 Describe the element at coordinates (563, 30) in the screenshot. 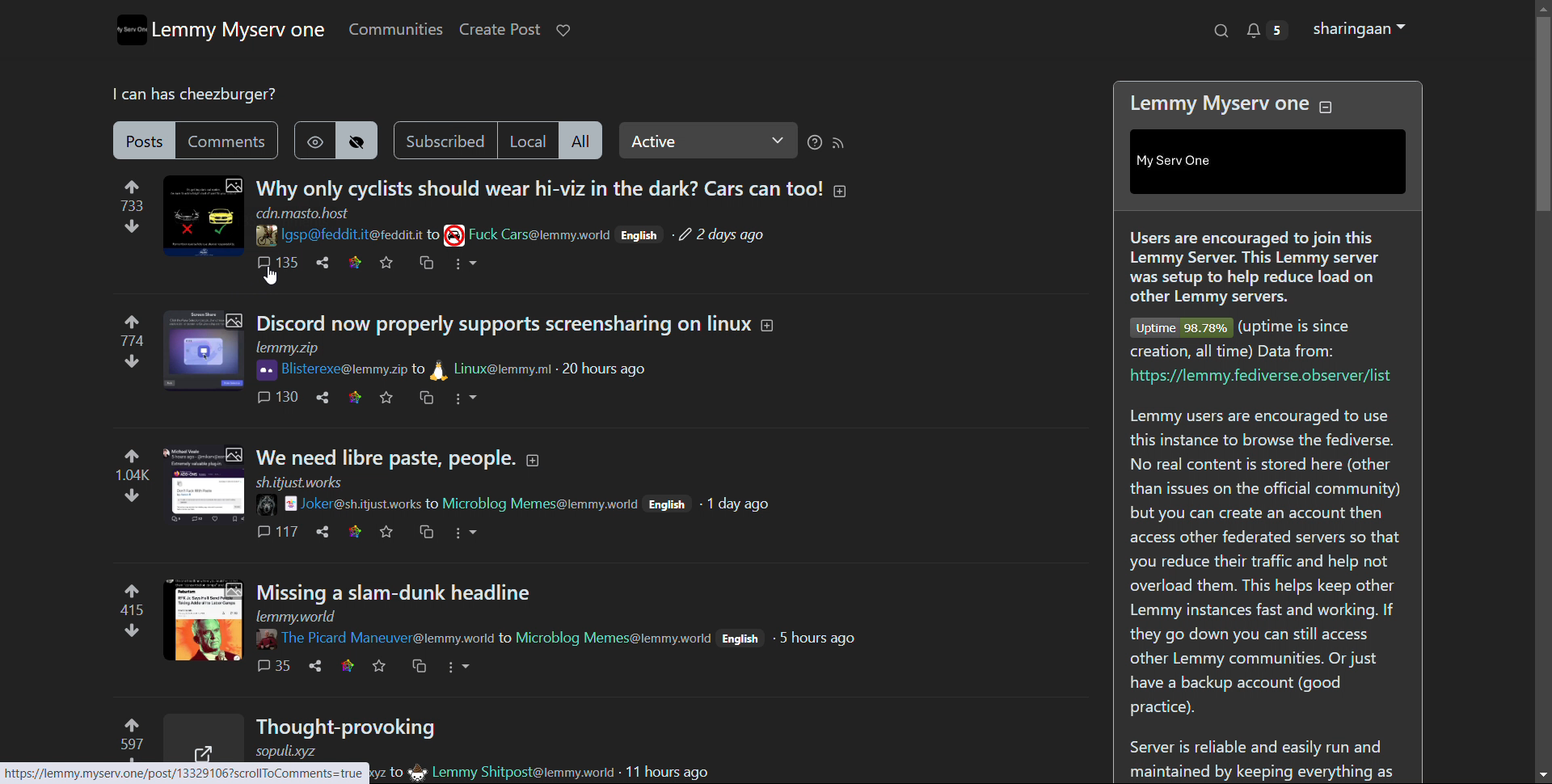

I see `donate to lammy` at that location.